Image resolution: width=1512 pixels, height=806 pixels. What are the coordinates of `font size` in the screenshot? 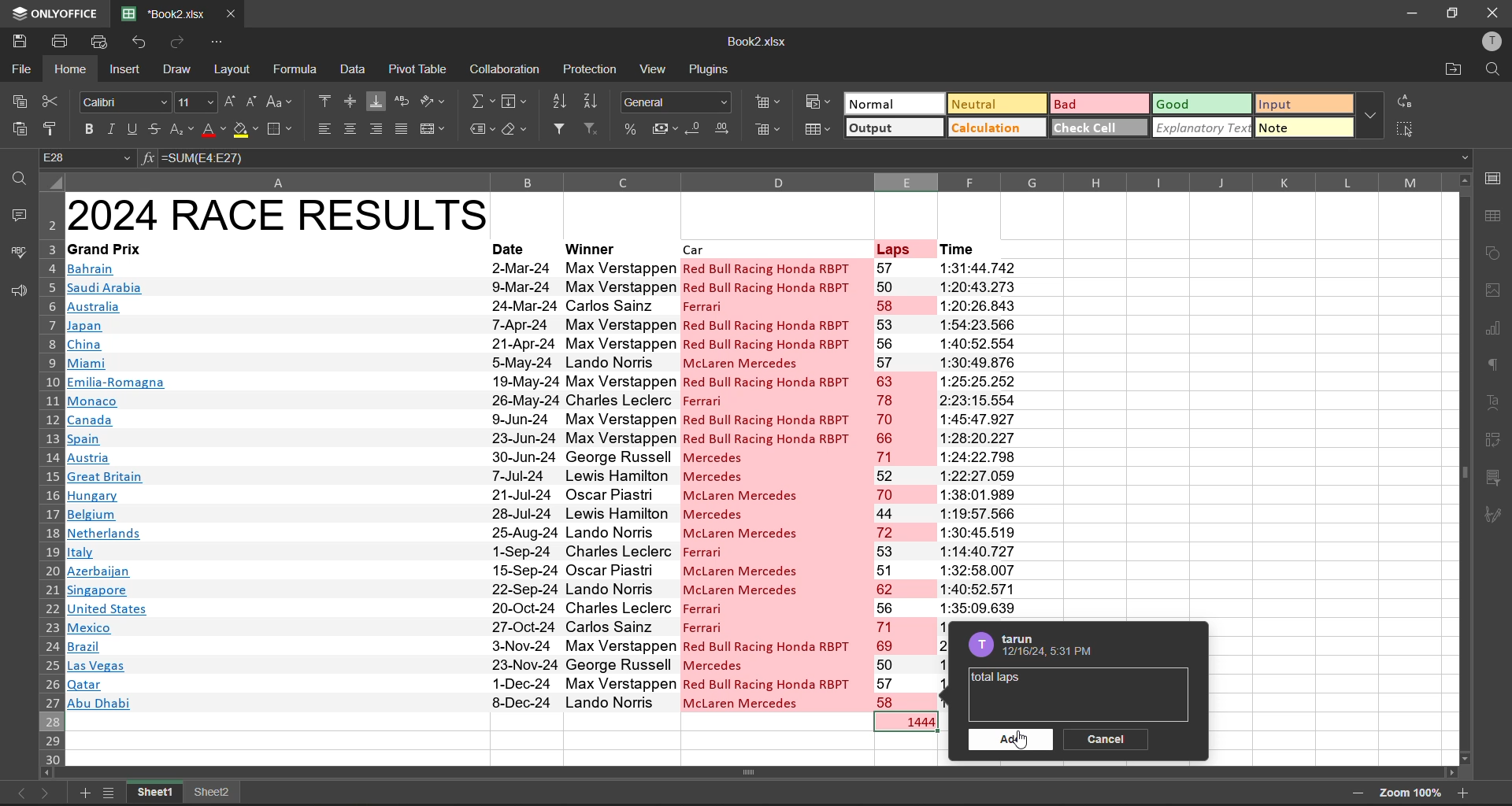 It's located at (198, 102).